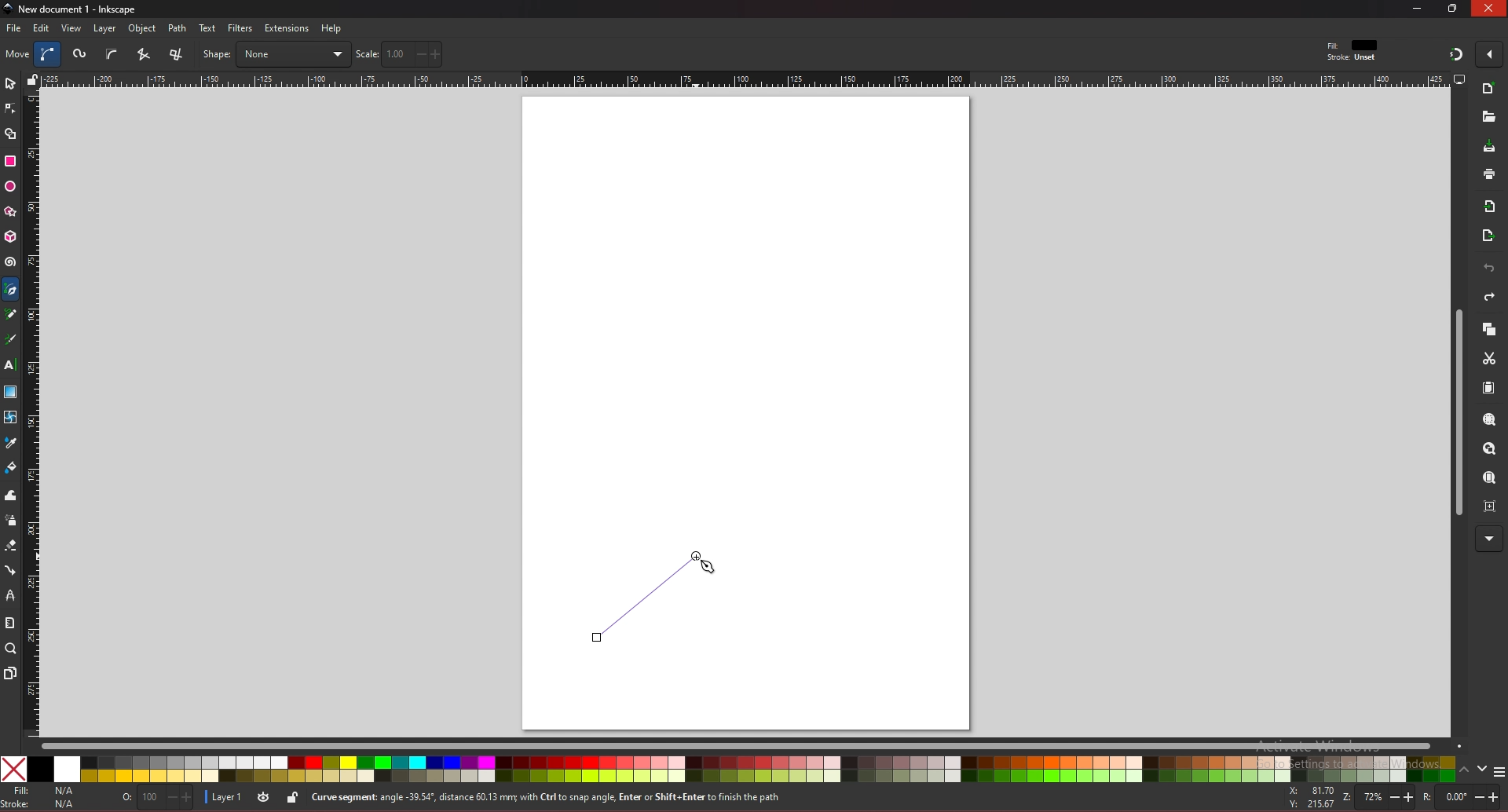  Describe the element at coordinates (32, 79) in the screenshot. I see `lock guides` at that location.